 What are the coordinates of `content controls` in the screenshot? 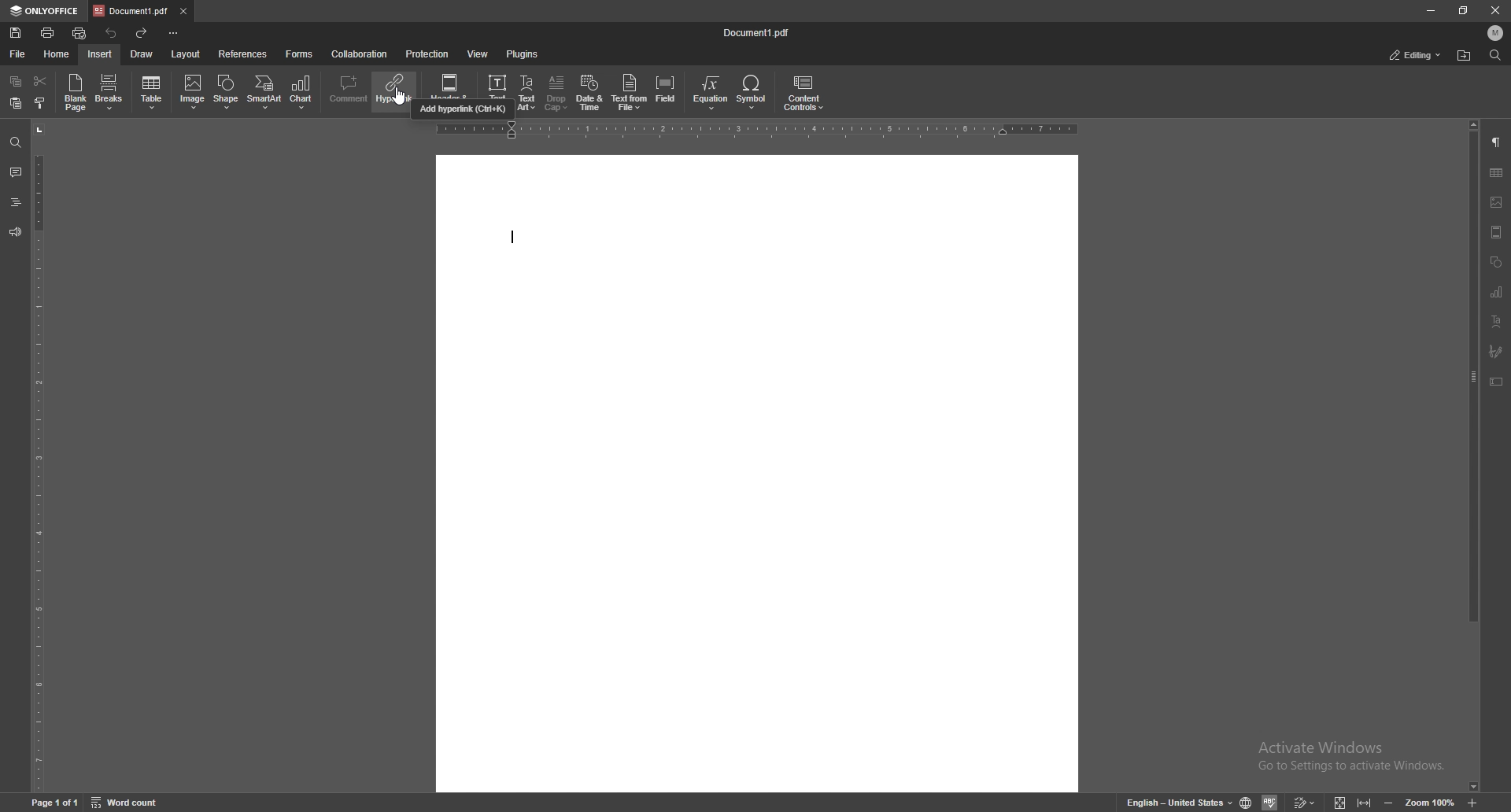 It's located at (804, 92).